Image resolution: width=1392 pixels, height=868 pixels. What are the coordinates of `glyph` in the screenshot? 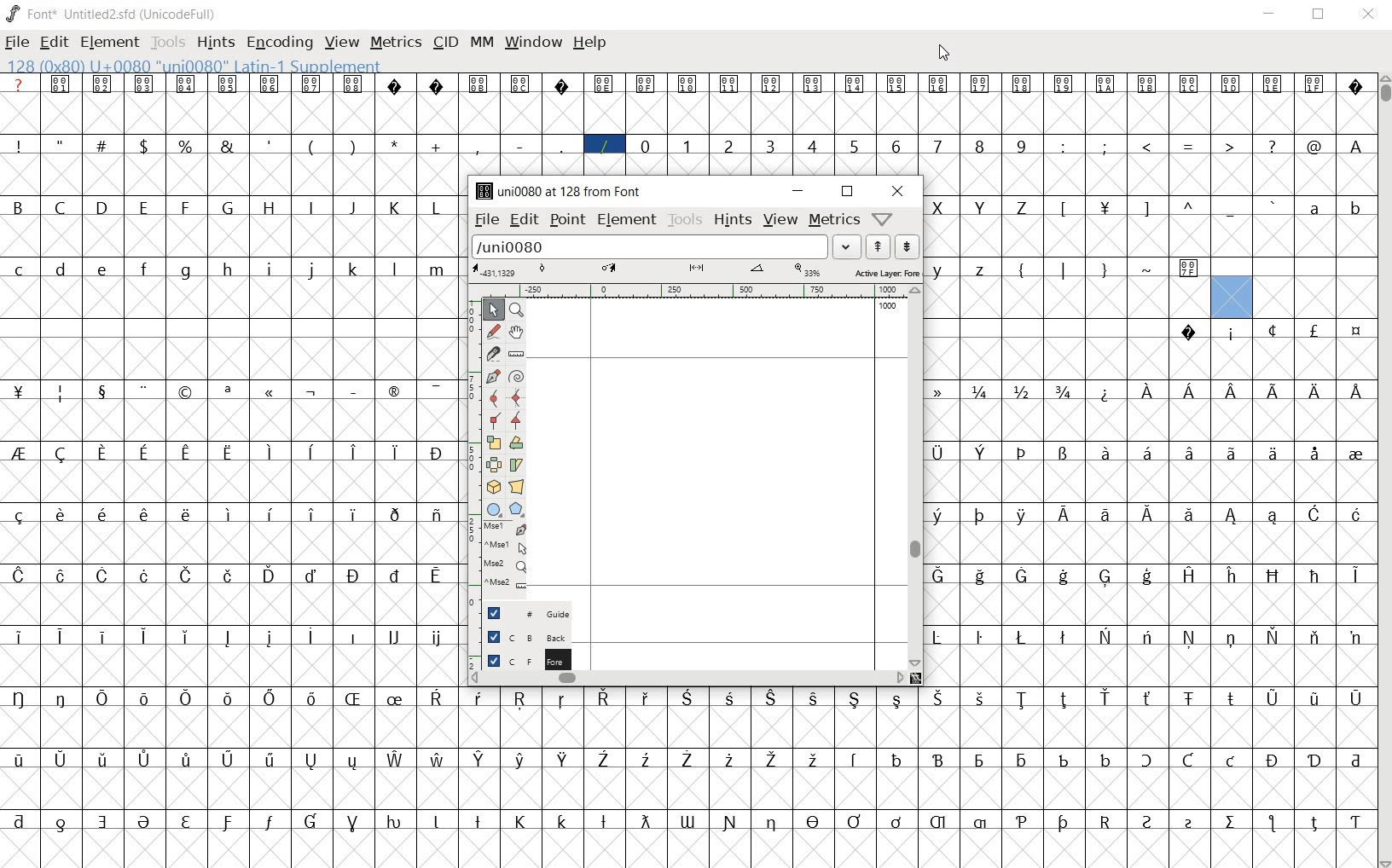 It's located at (1188, 333).